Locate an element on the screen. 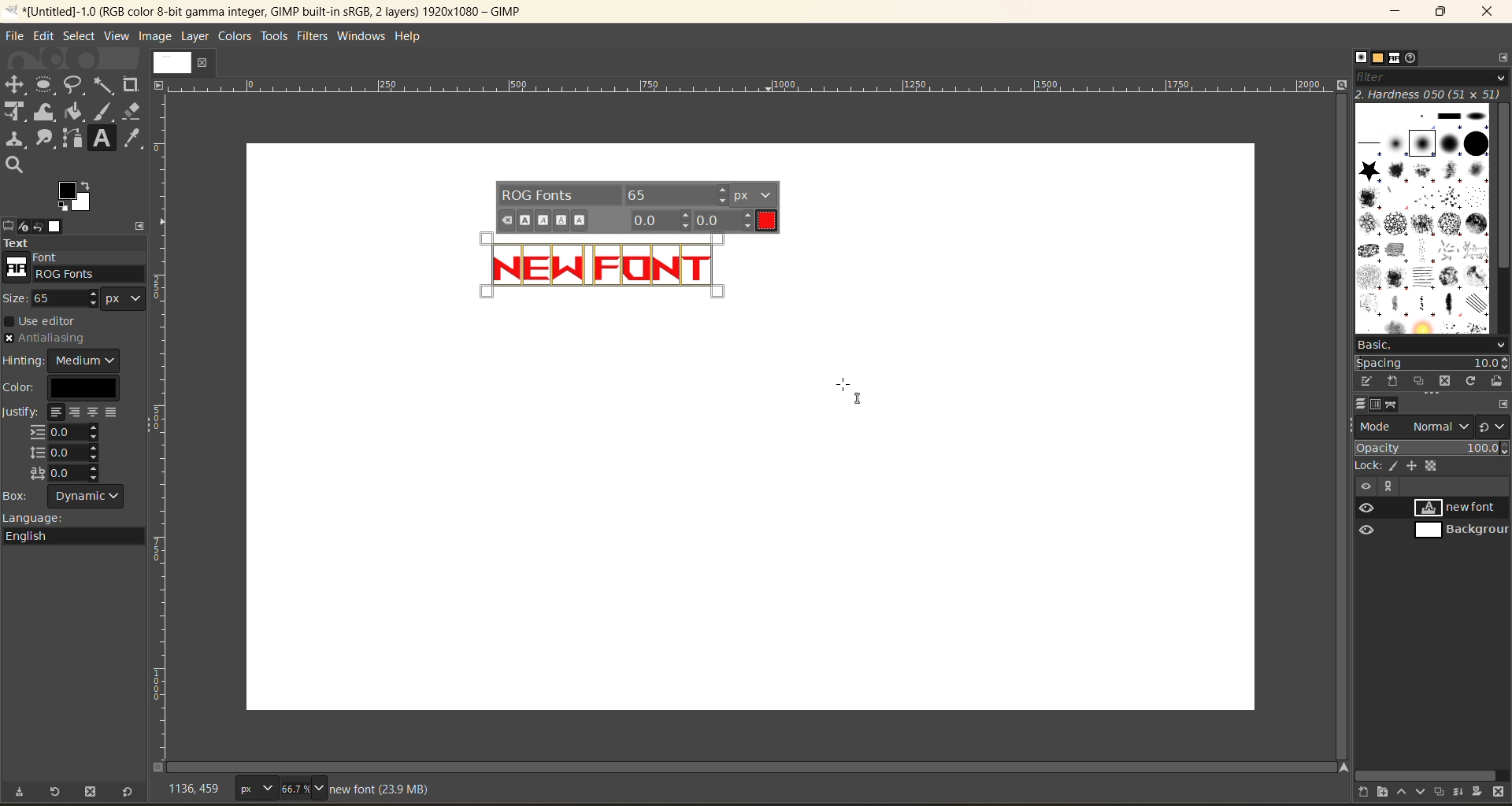  horizontal scroll bar is located at coordinates (1427, 775).